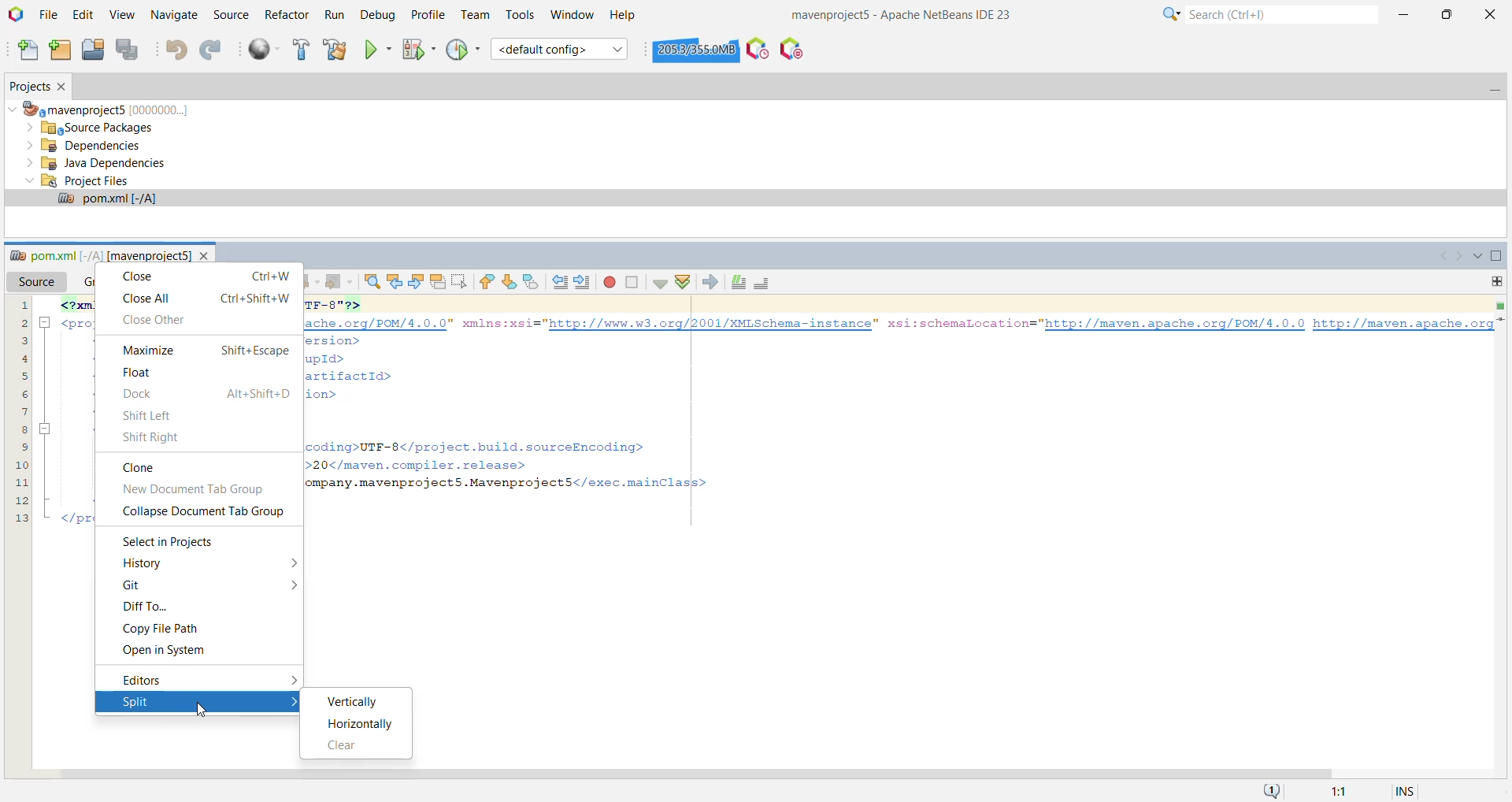  What do you see at coordinates (761, 282) in the screenshot?
I see `Uncomment` at bounding box center [761, 282].